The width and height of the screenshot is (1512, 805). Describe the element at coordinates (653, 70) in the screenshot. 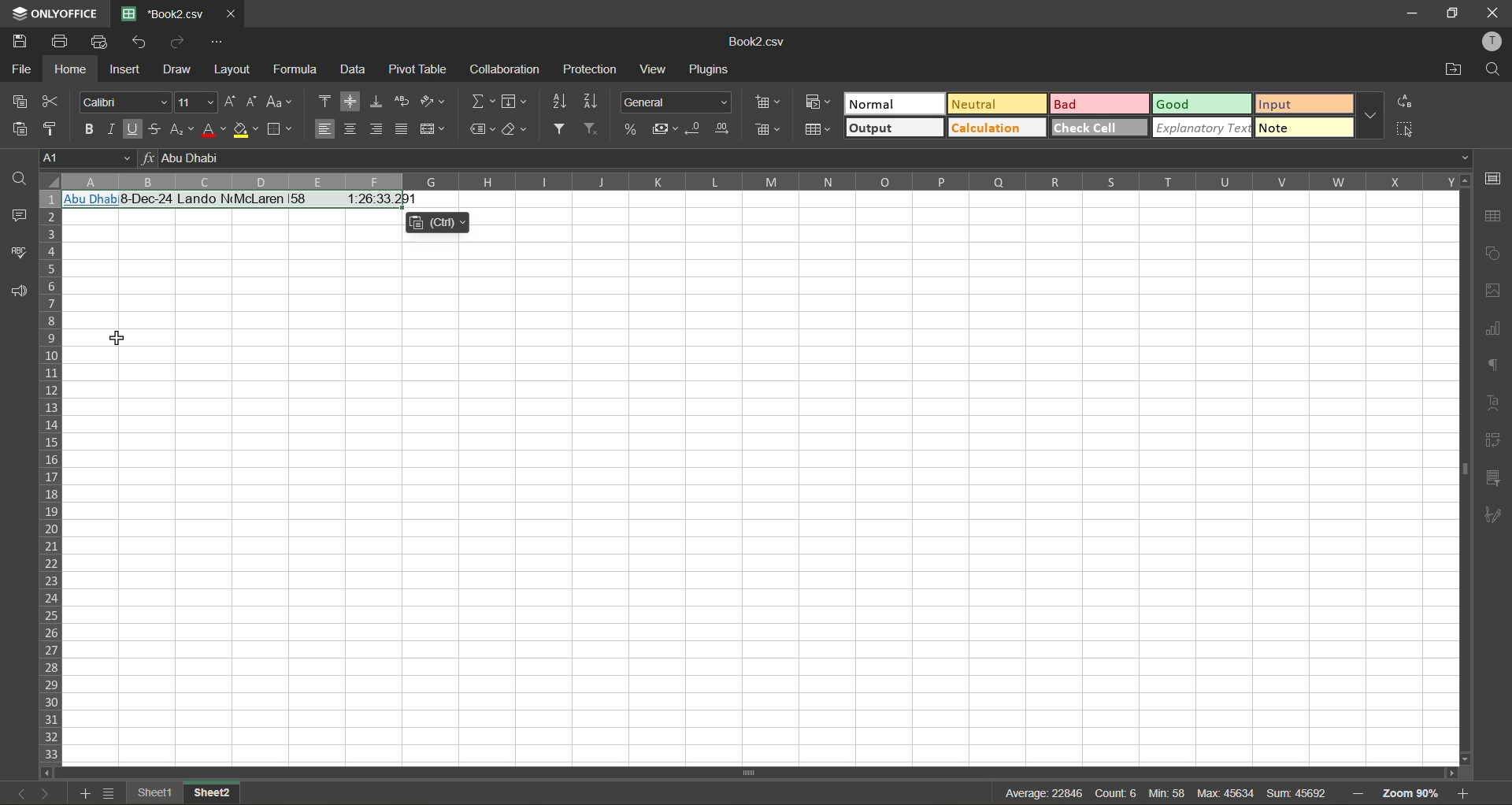

I see `view` at that location.